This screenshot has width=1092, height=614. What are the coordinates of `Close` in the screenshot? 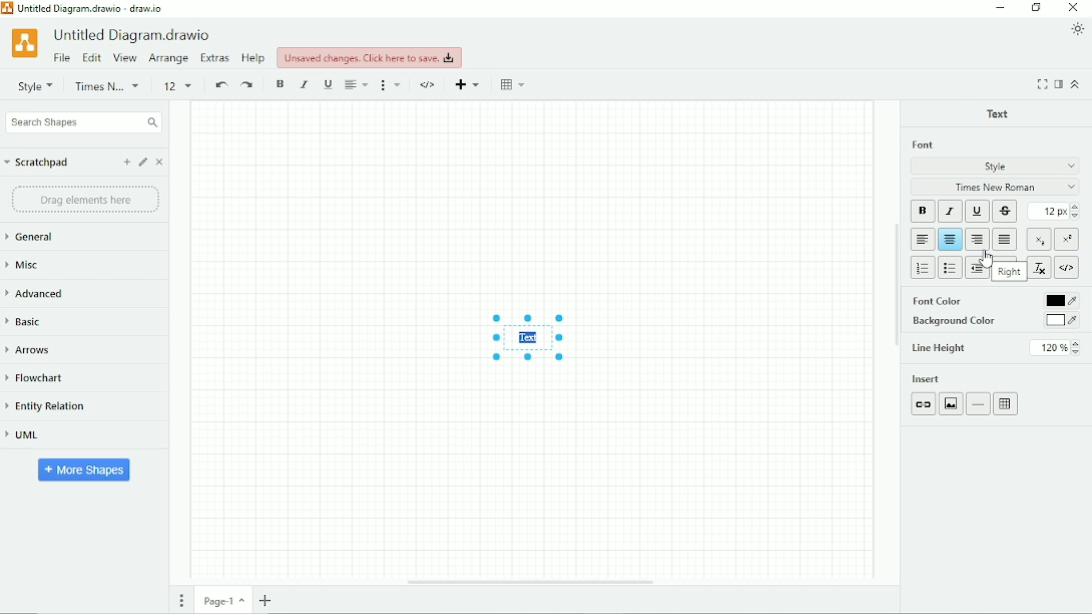 It's located at (1074, 7).